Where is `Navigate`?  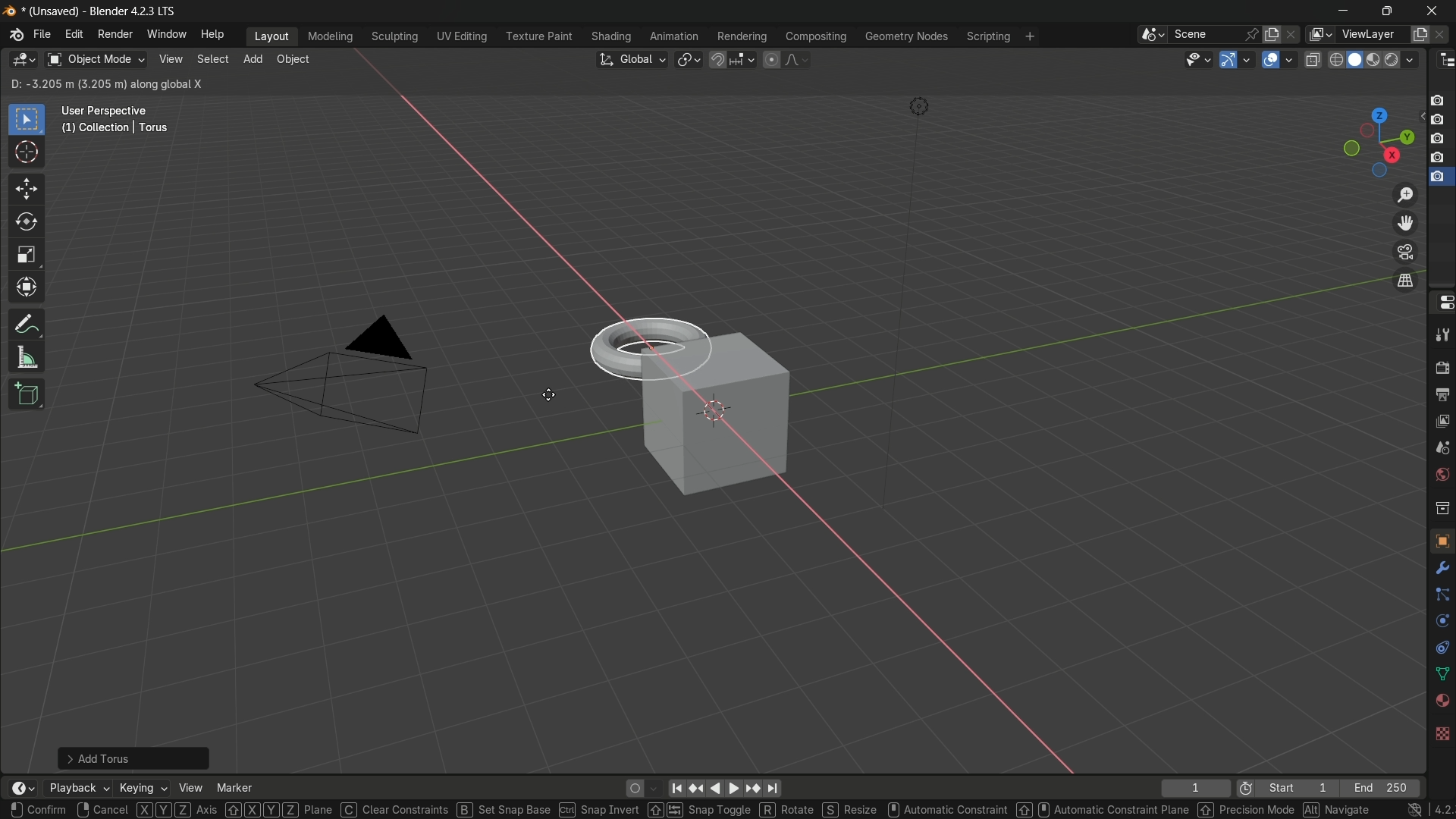
Navigate is located at coordinates (1337, 810).